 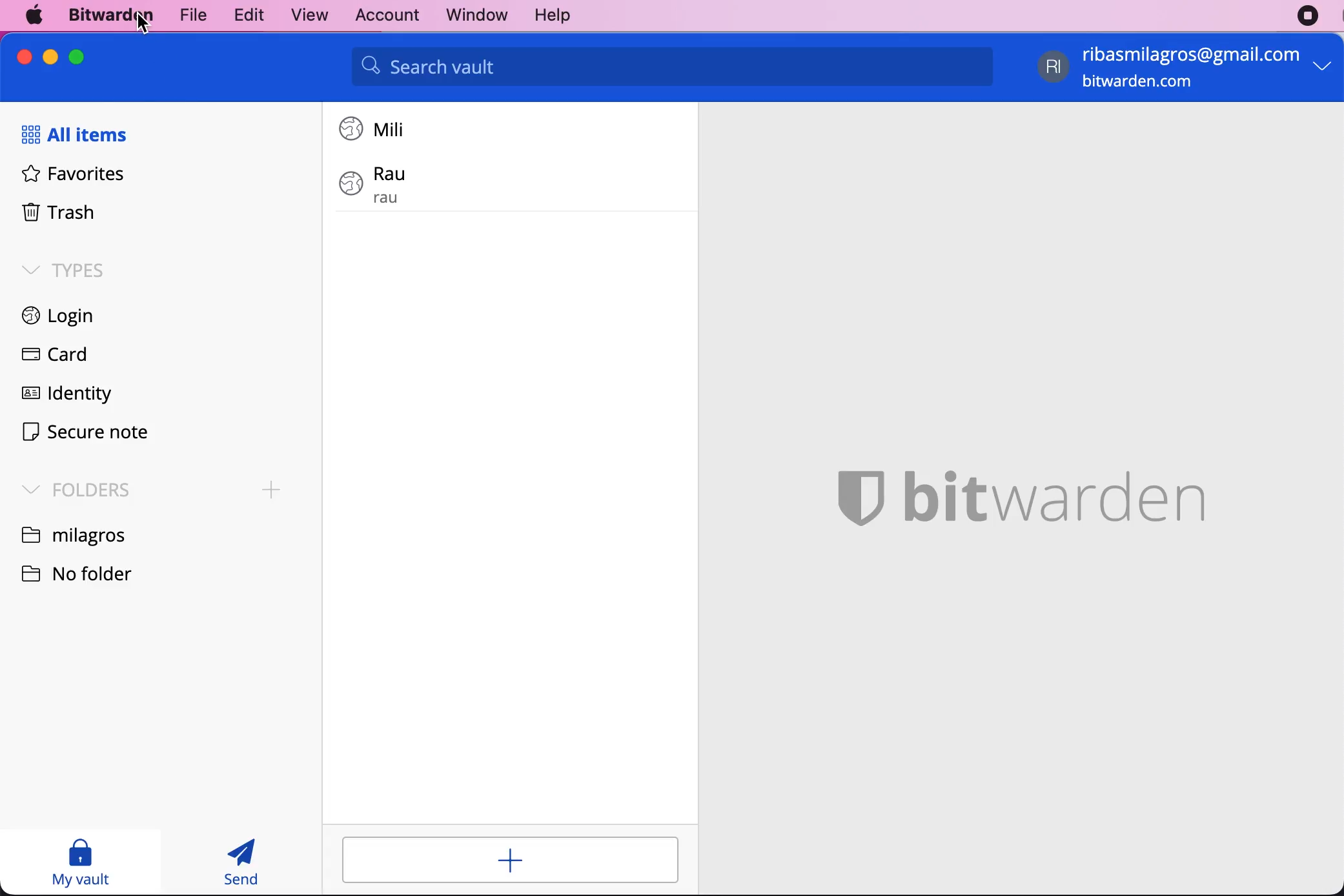 I want to click on account, so click(x=1188, y=69).